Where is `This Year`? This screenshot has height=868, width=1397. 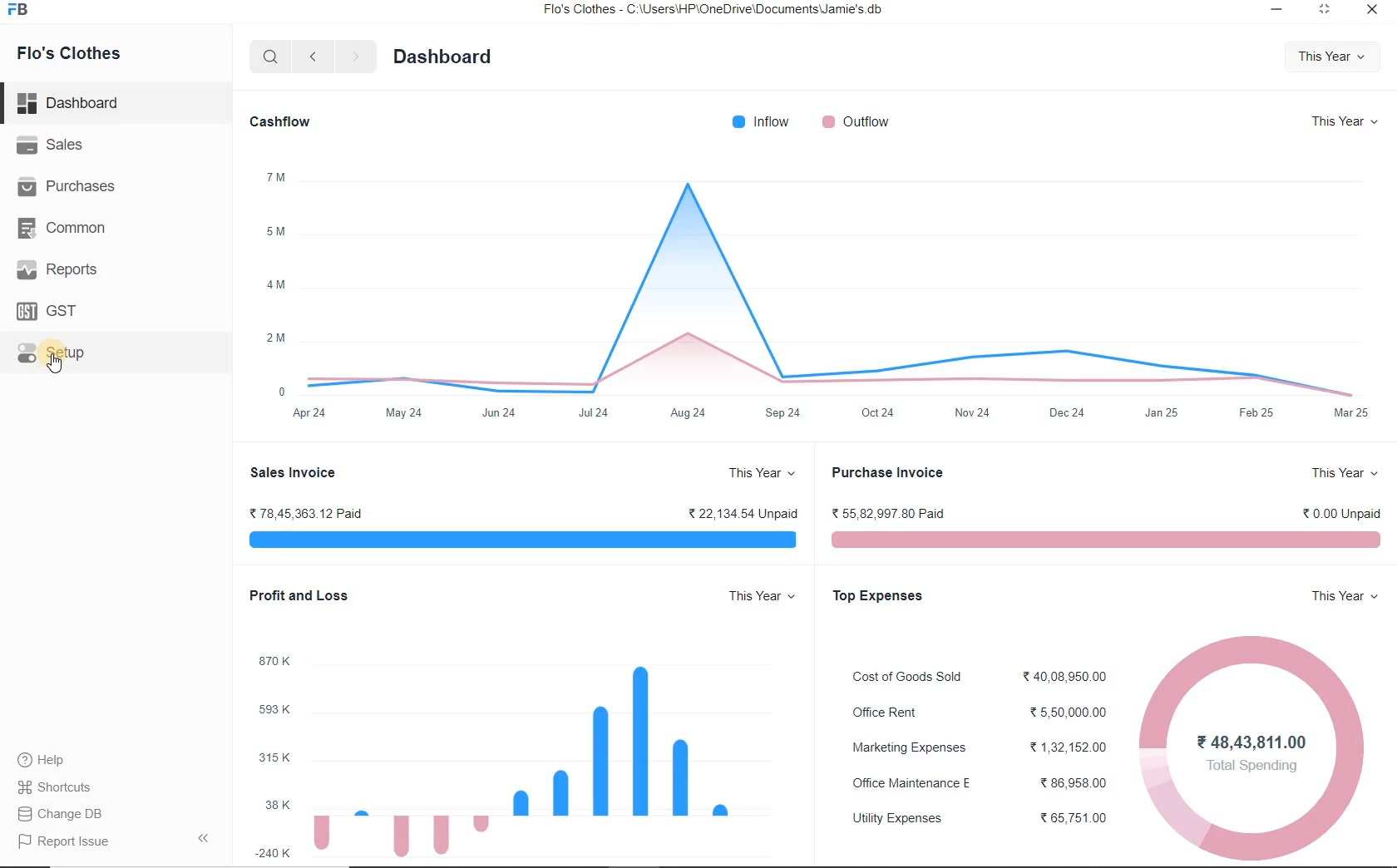
This Year is located at coordinates (763, 474).